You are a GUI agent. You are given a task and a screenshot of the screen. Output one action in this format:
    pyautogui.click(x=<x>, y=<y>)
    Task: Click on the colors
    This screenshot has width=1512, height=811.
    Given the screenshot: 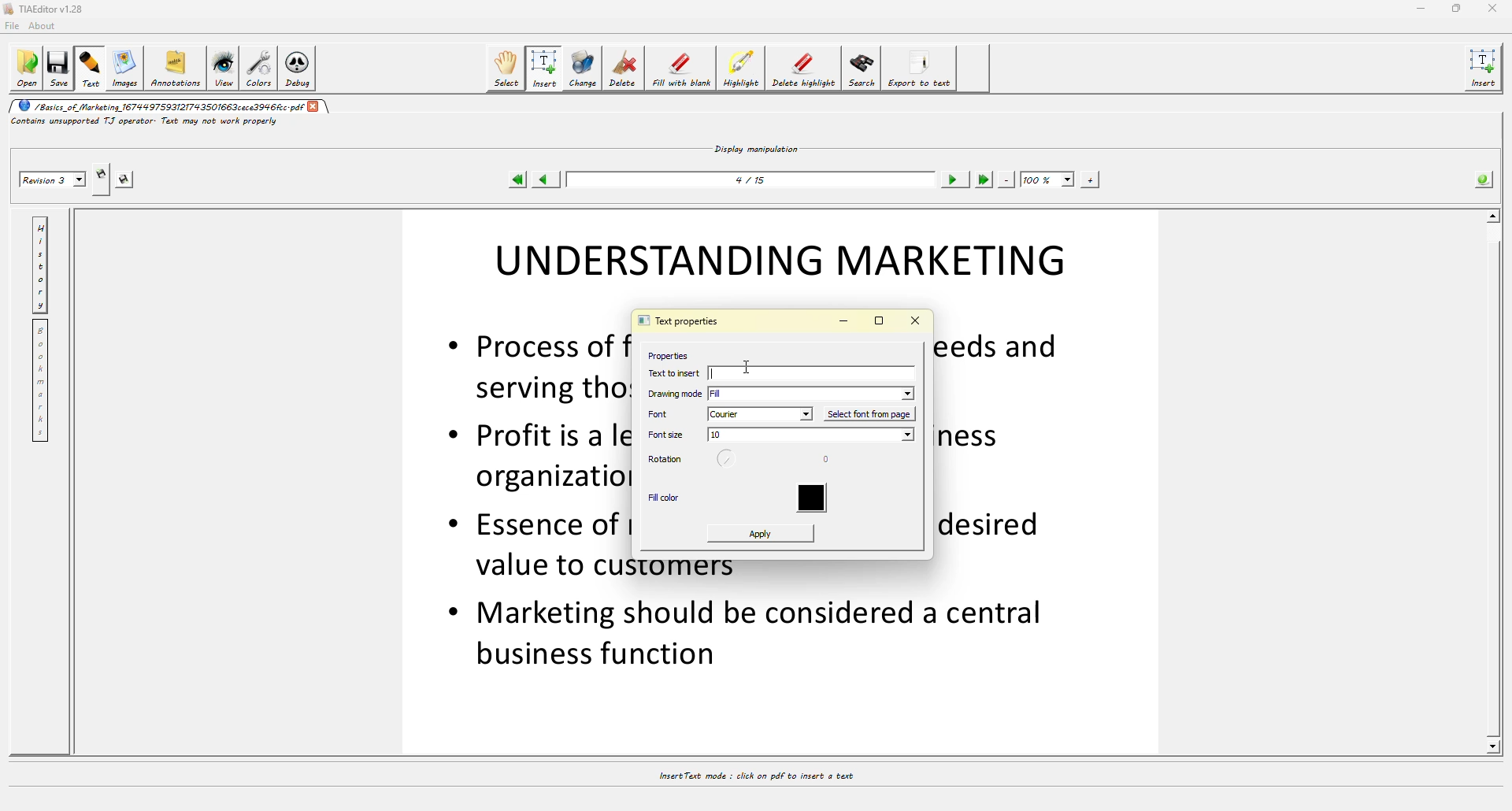 What is the action you would take?
    pyautogui.click(x=259, y=67)
    